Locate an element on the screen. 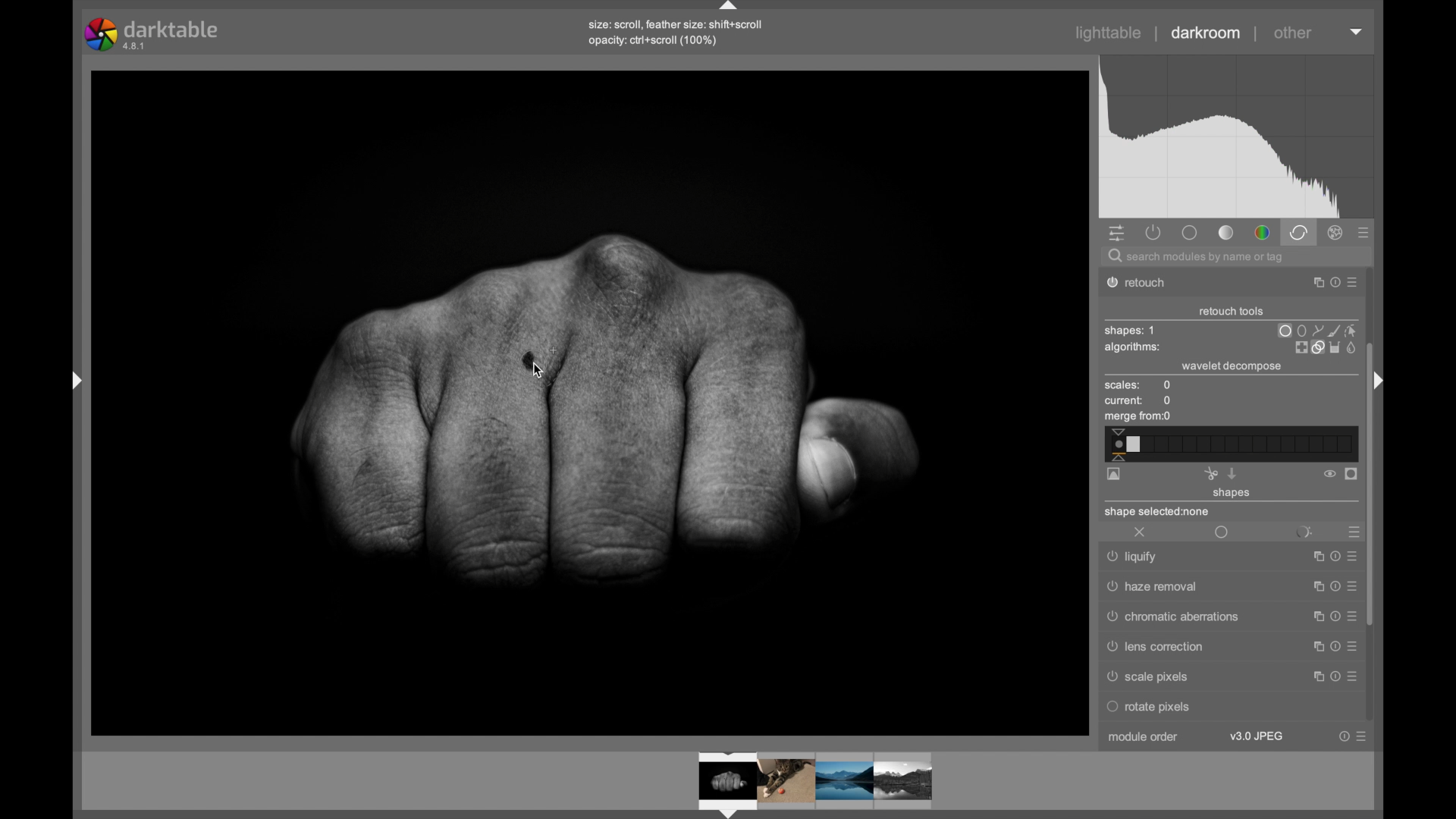  uniformly is located at coordinates (1222, 533).